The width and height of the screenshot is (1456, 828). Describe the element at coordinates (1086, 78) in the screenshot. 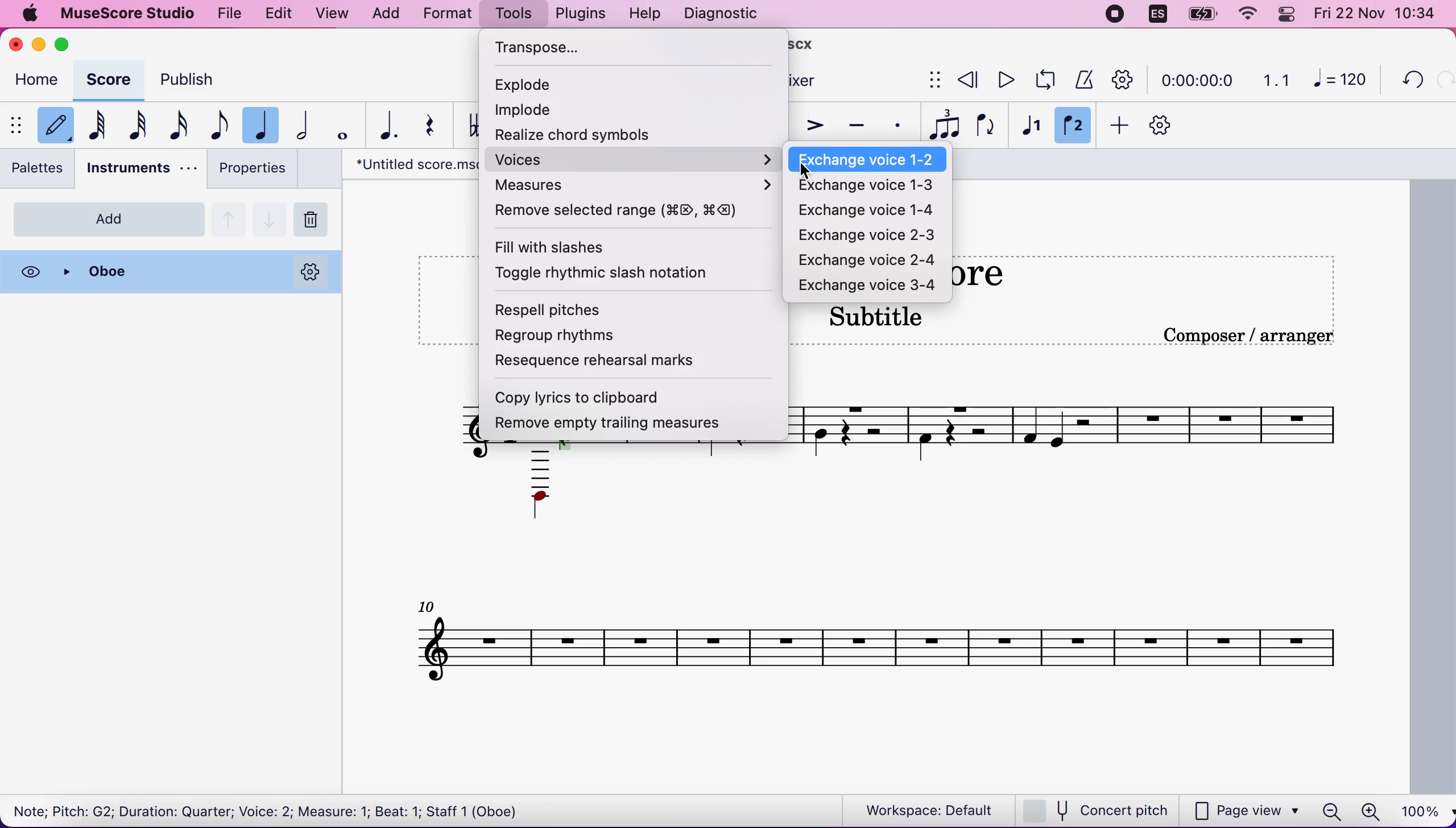

I see `metronome` at that location.